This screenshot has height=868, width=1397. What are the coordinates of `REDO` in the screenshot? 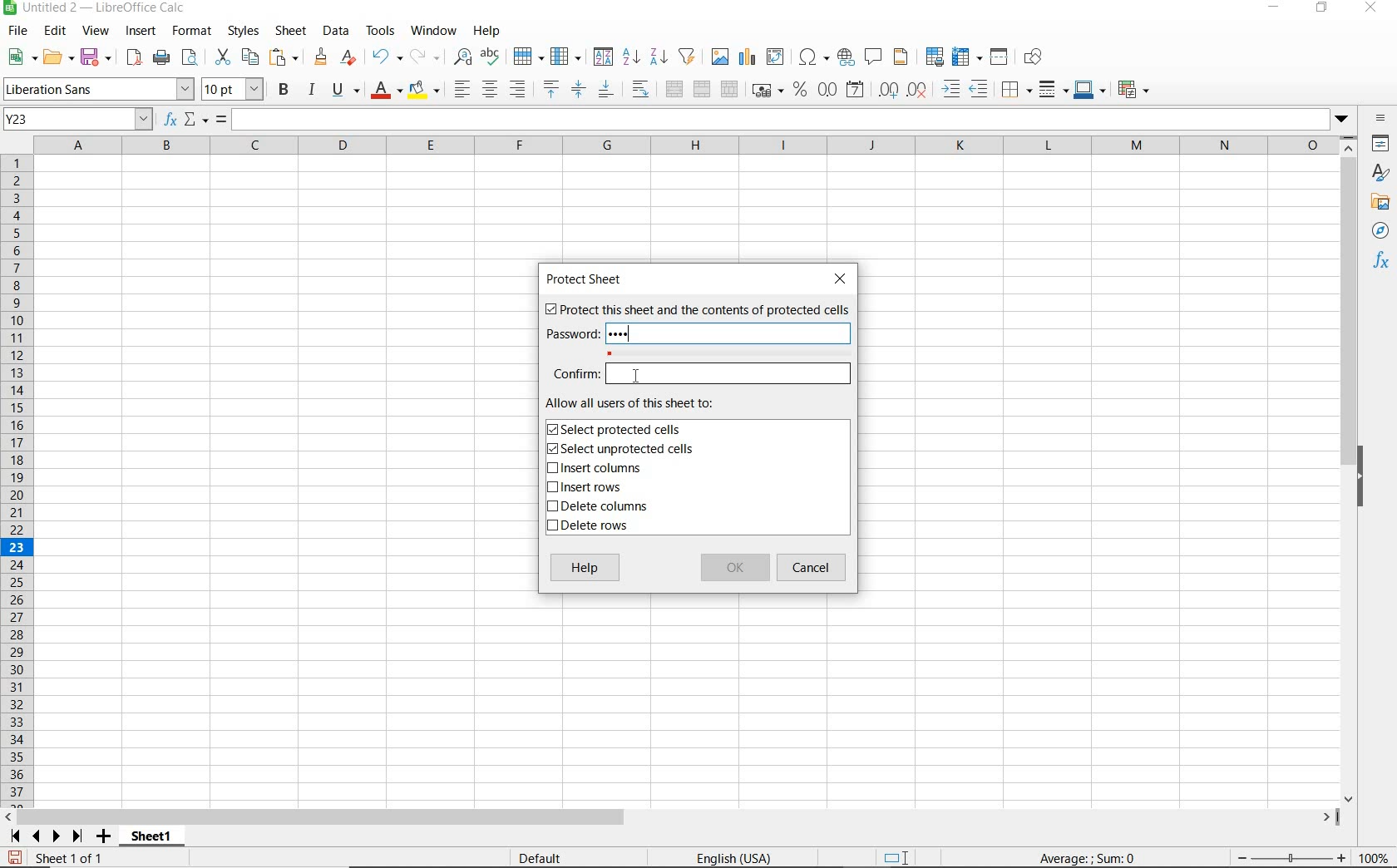 It's located at (423, 55).